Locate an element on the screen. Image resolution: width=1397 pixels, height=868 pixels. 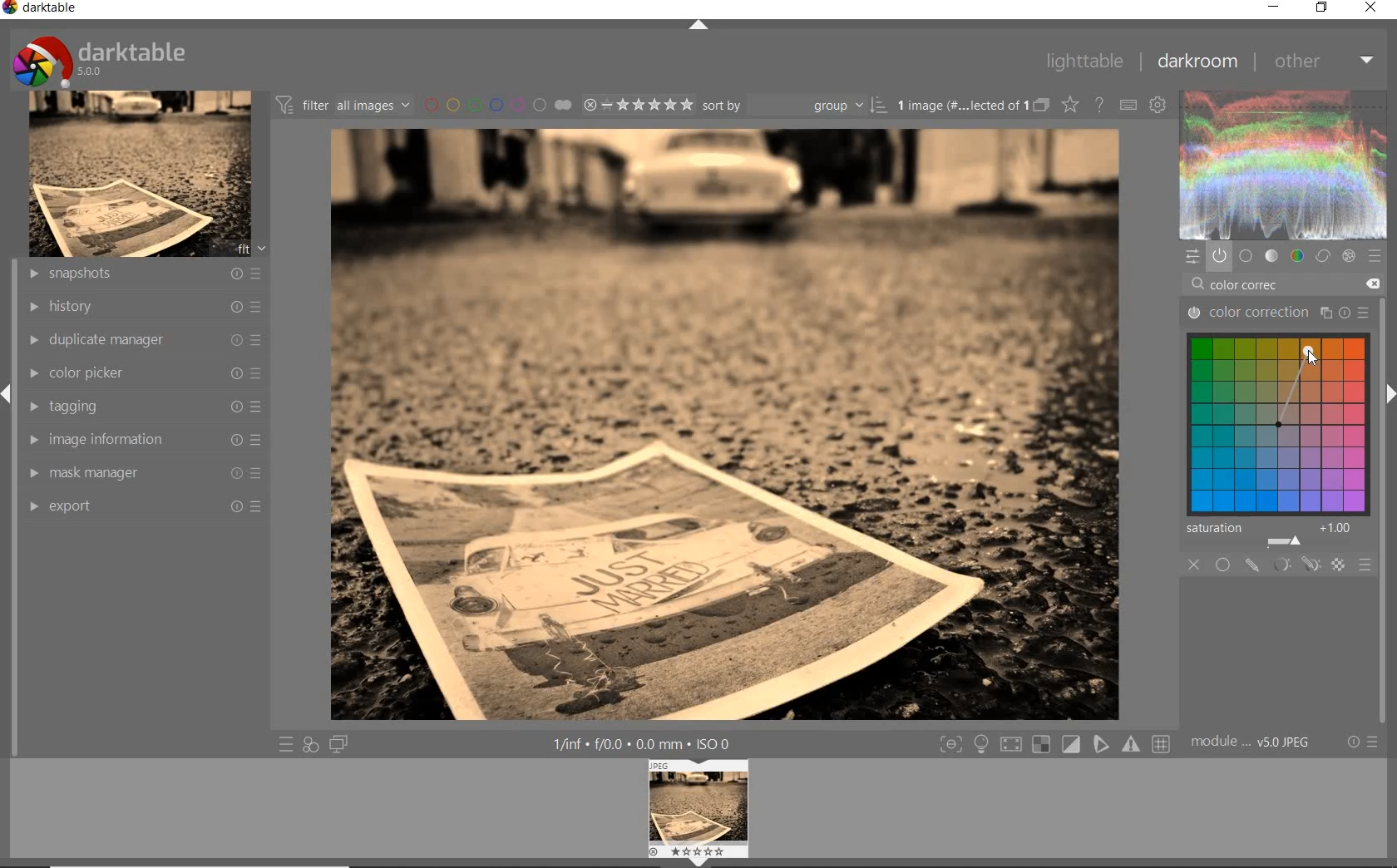
minimize is located at coordinates (1274, 6).